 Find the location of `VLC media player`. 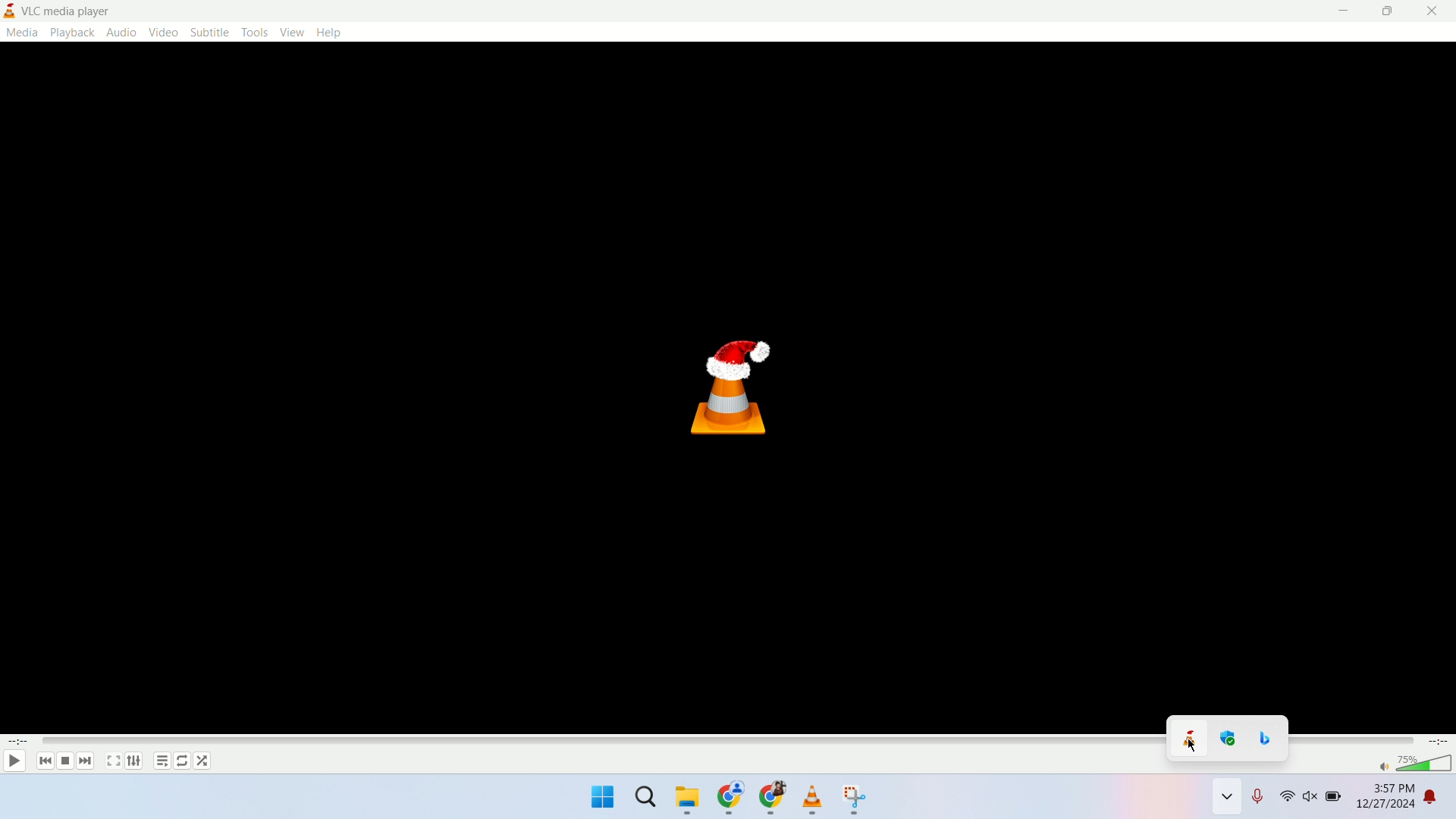

VLC media player is located at coordinates (80, 11).